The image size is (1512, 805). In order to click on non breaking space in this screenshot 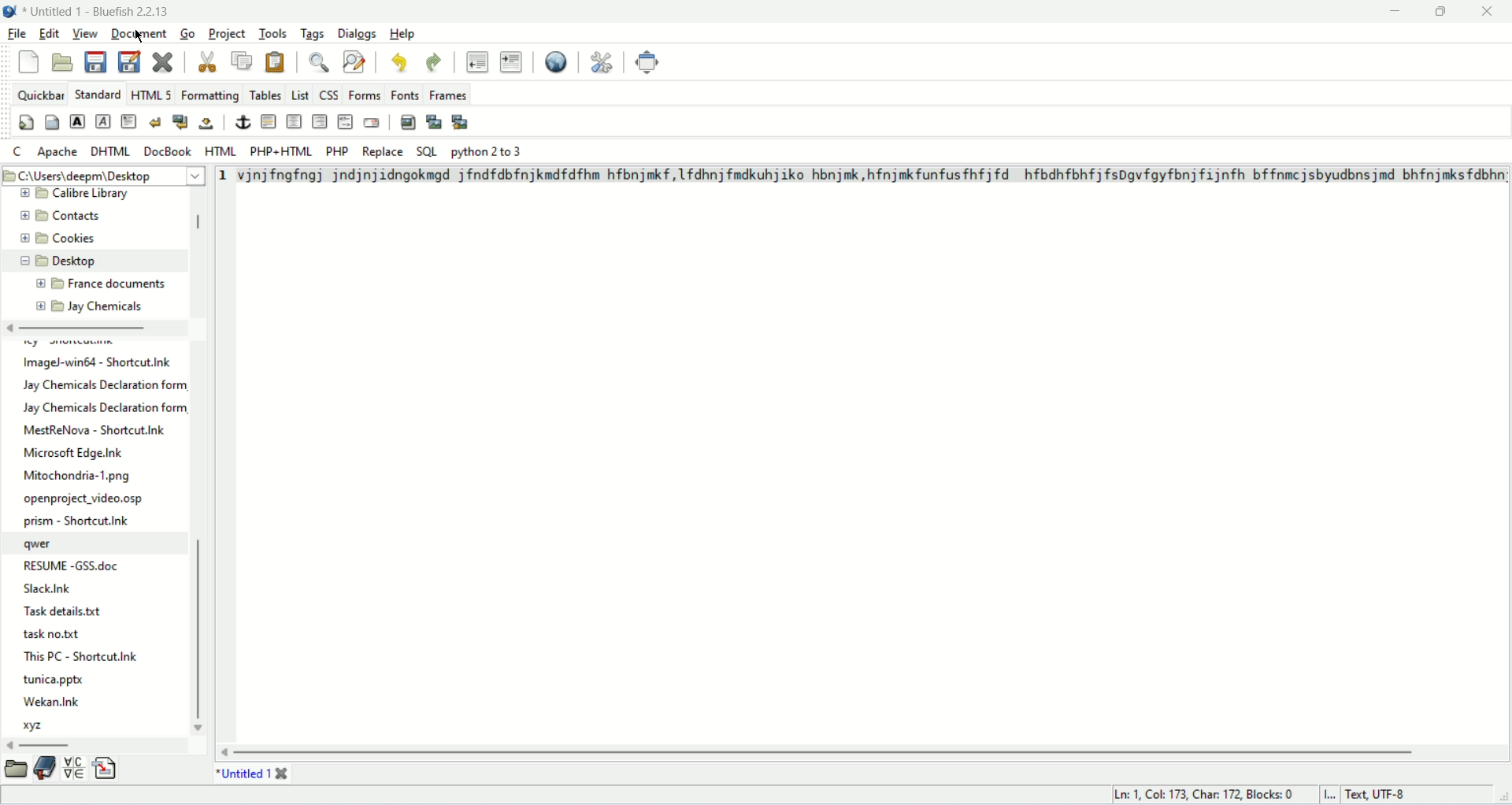, I will do `click(207, 123)`.